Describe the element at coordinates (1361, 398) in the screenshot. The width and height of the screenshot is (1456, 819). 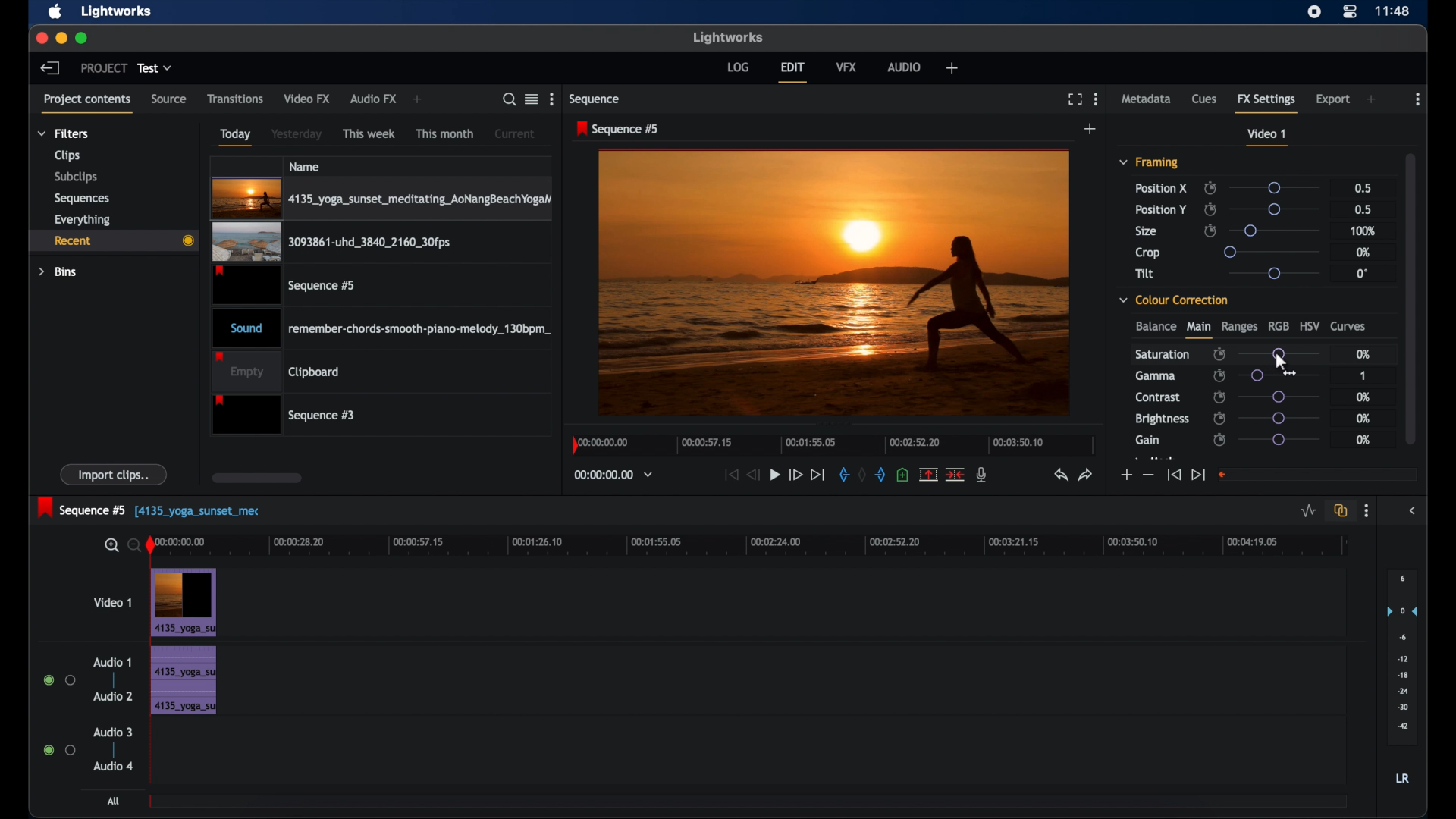
I see `0%` at that location.